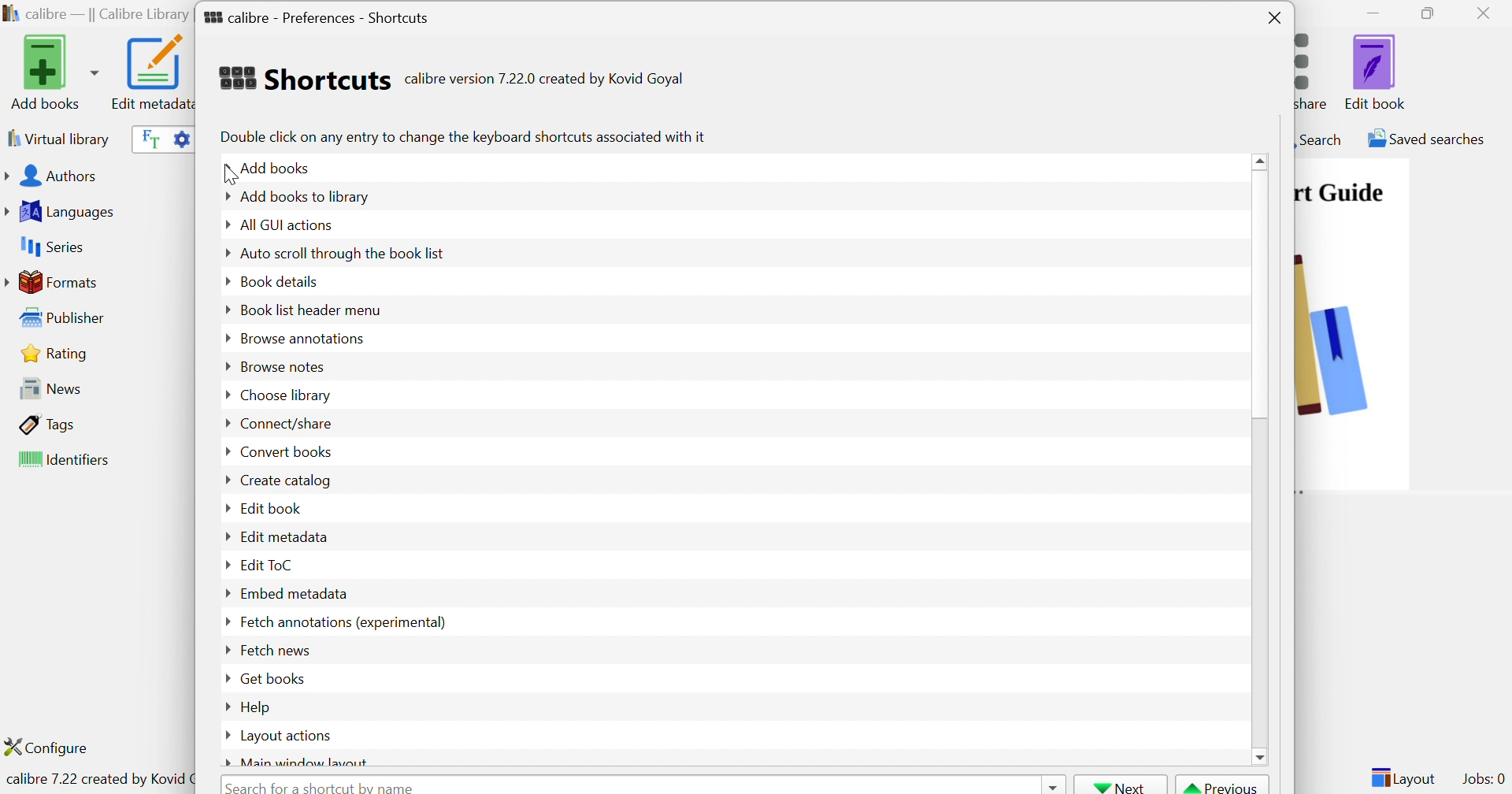  What do you see at coordinates (221, 366) in the screenshot?
I see `Drop Down` at bounding box center [221, 366].